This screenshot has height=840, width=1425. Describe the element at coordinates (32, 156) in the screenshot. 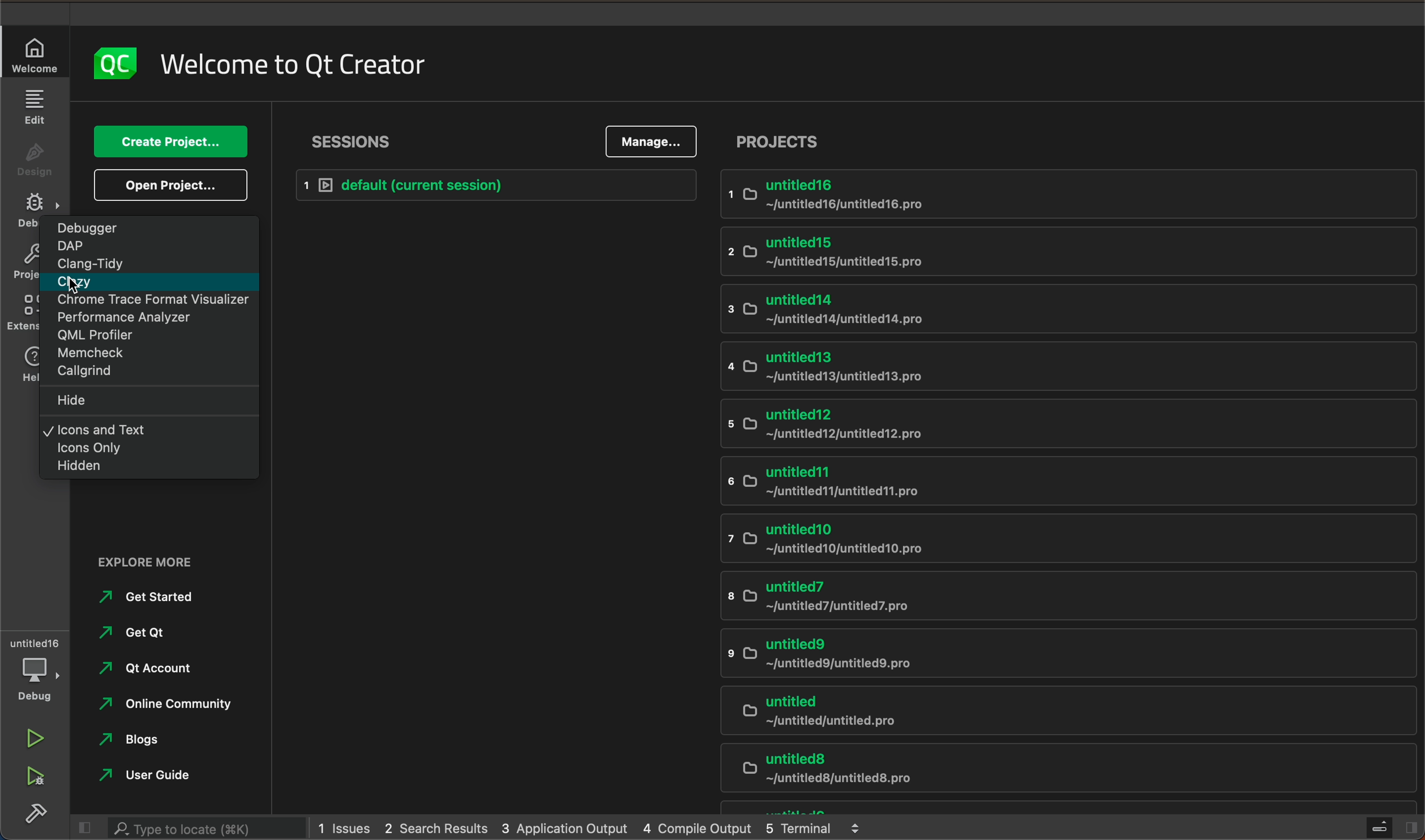

I see `design` at that location.